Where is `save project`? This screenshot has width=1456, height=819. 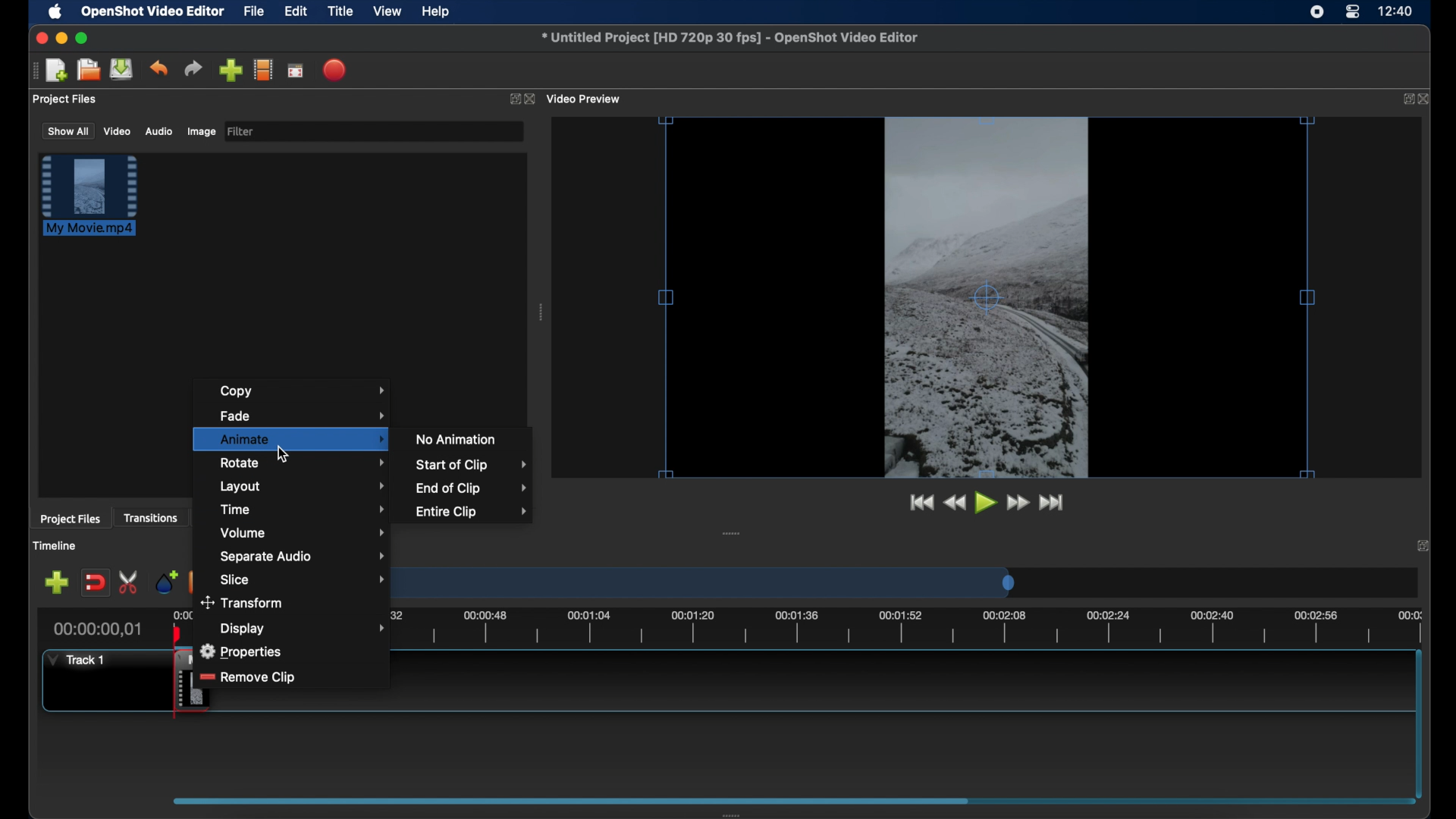 save project is located at coordinates (121, 69).